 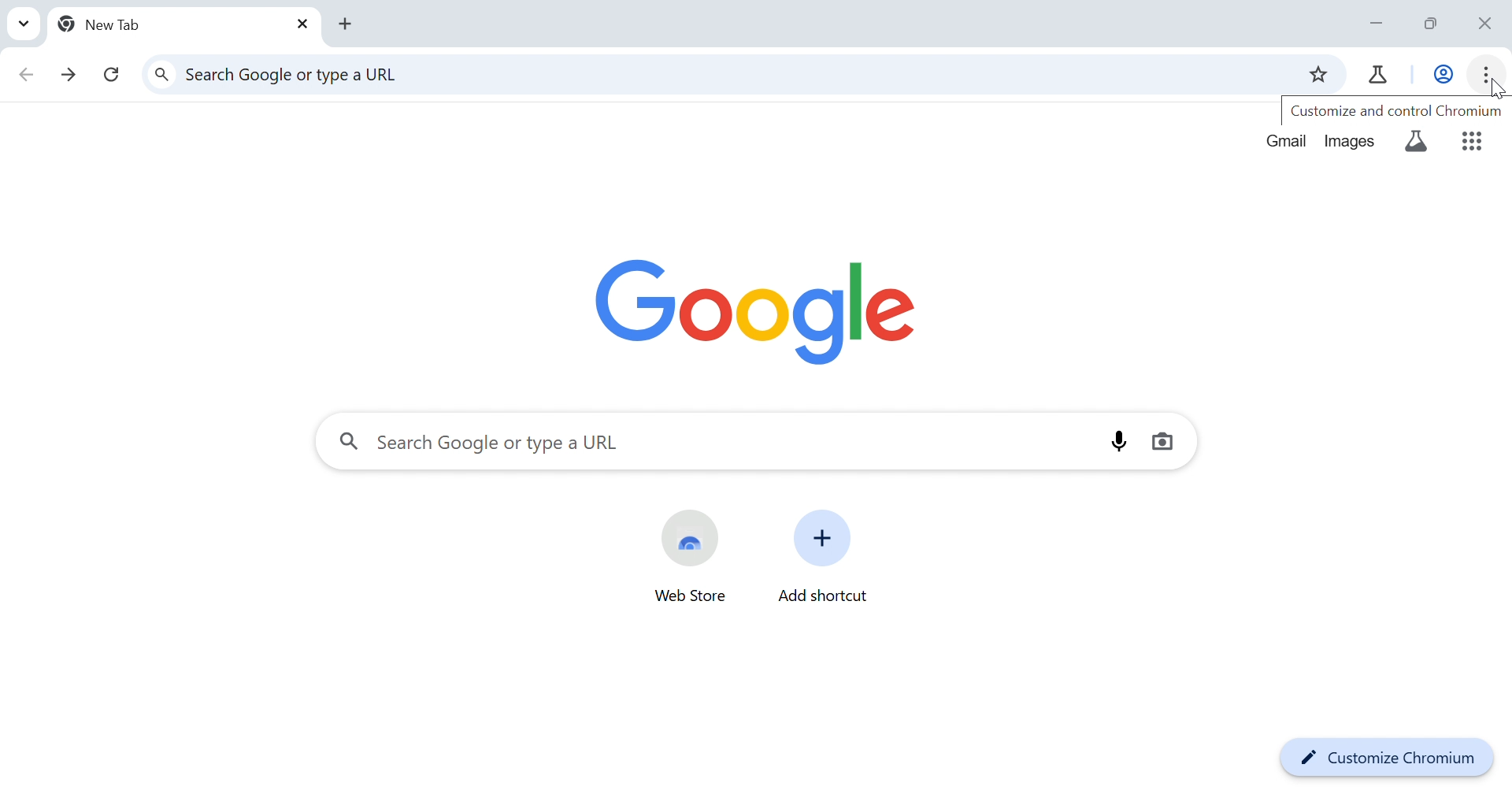 I want to click on Customize and control Chromium, so click(x=1399, y=113).